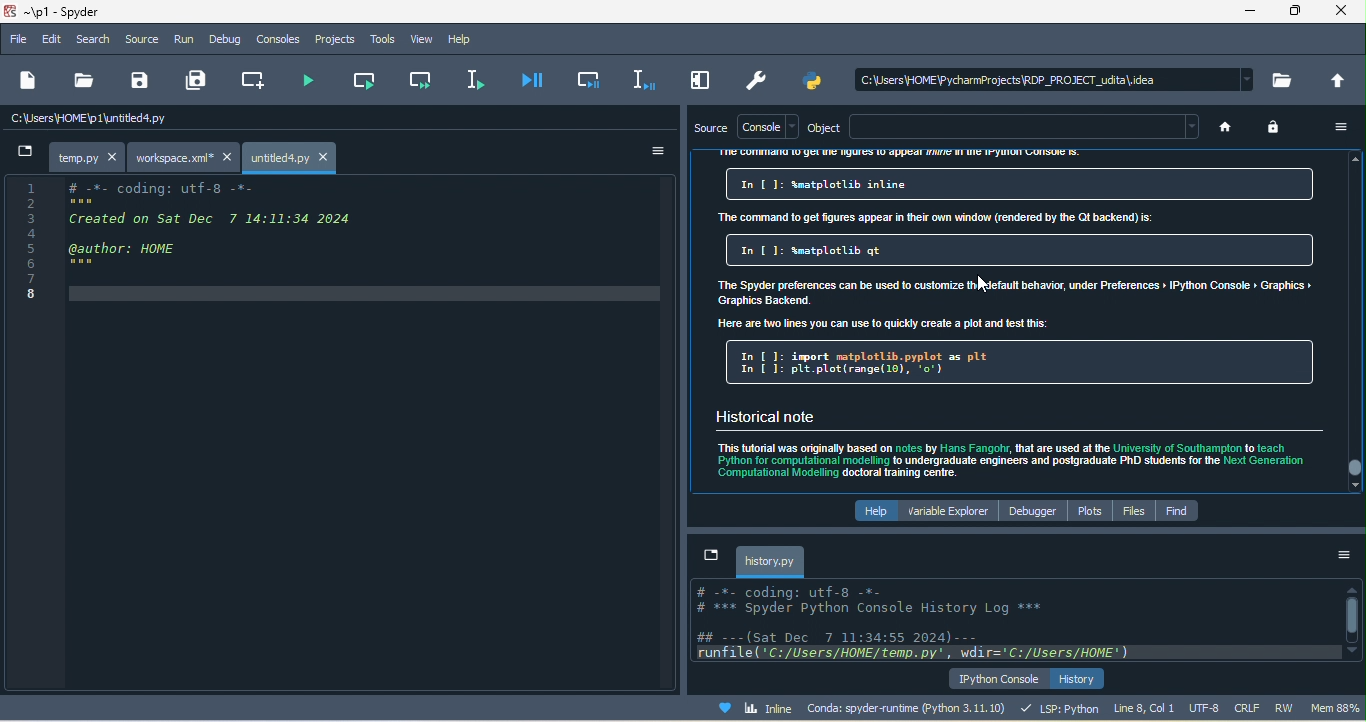 The width and height of the screenshot is (1366, 722). Describe the element at coordinates (28, 79) in the screenshot. I see `new` at that location.